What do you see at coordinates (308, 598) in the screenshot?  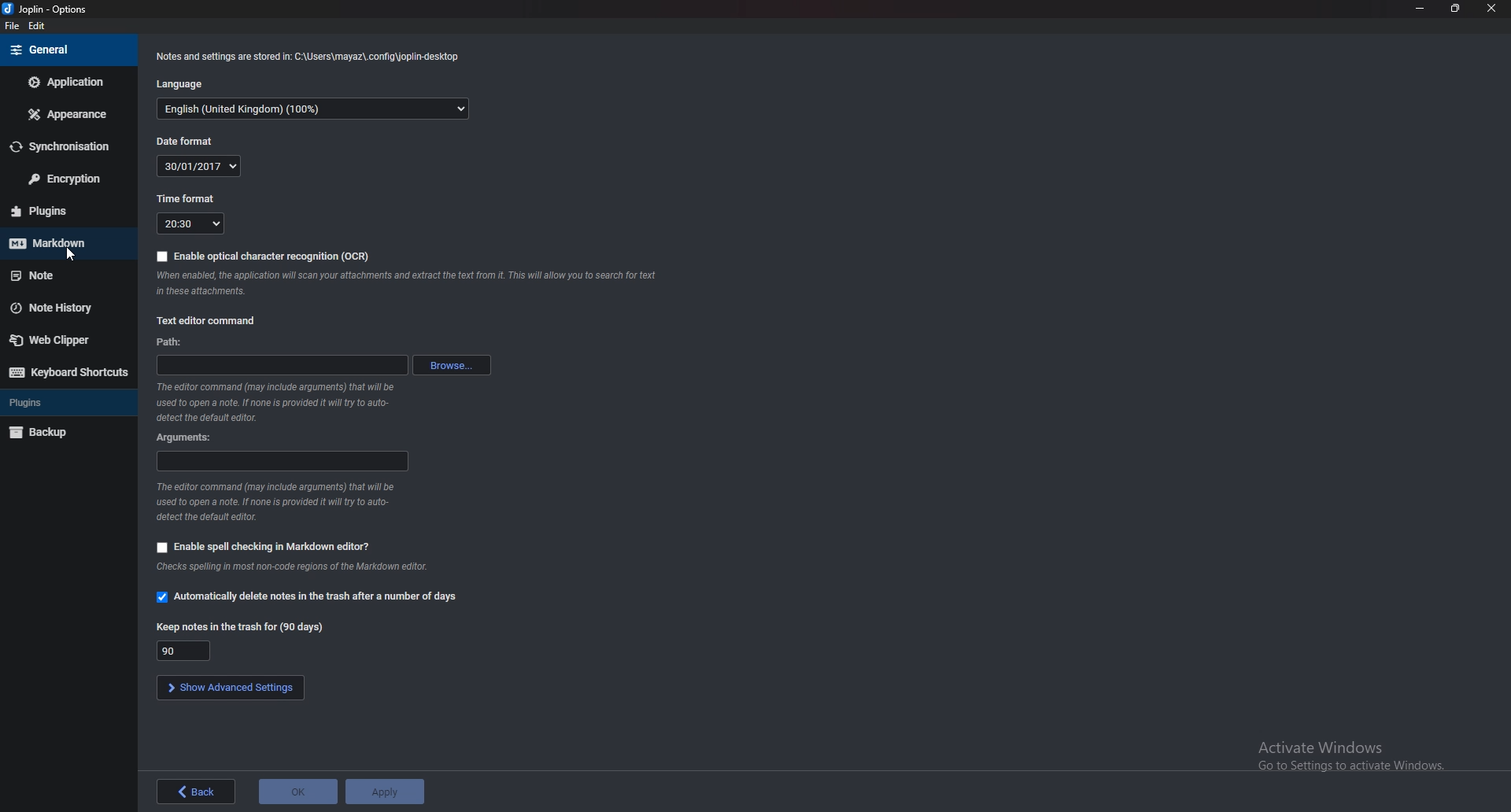 I see `Automatically delete notes` at bounding box center [308, 598].